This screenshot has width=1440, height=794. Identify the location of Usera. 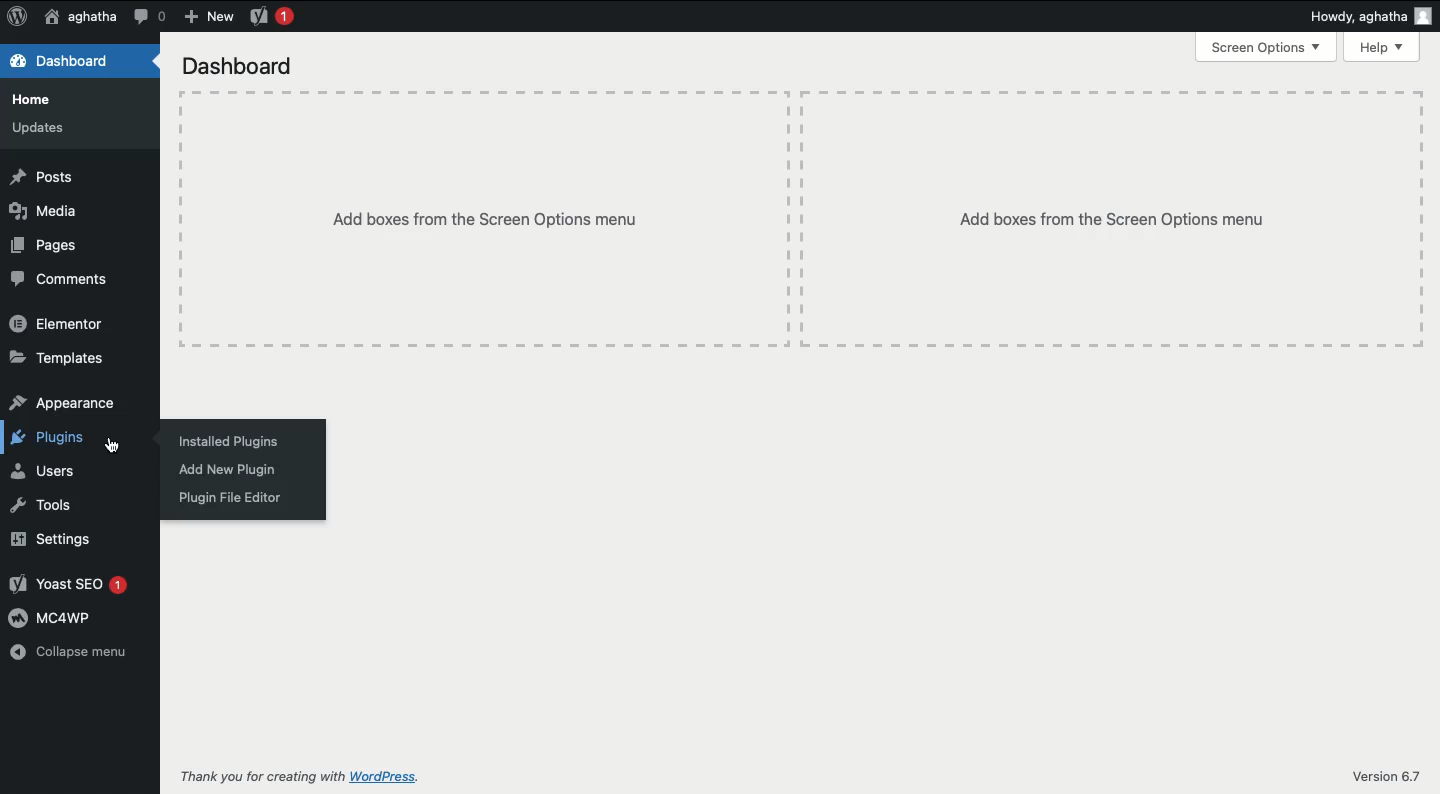
(80, 18).